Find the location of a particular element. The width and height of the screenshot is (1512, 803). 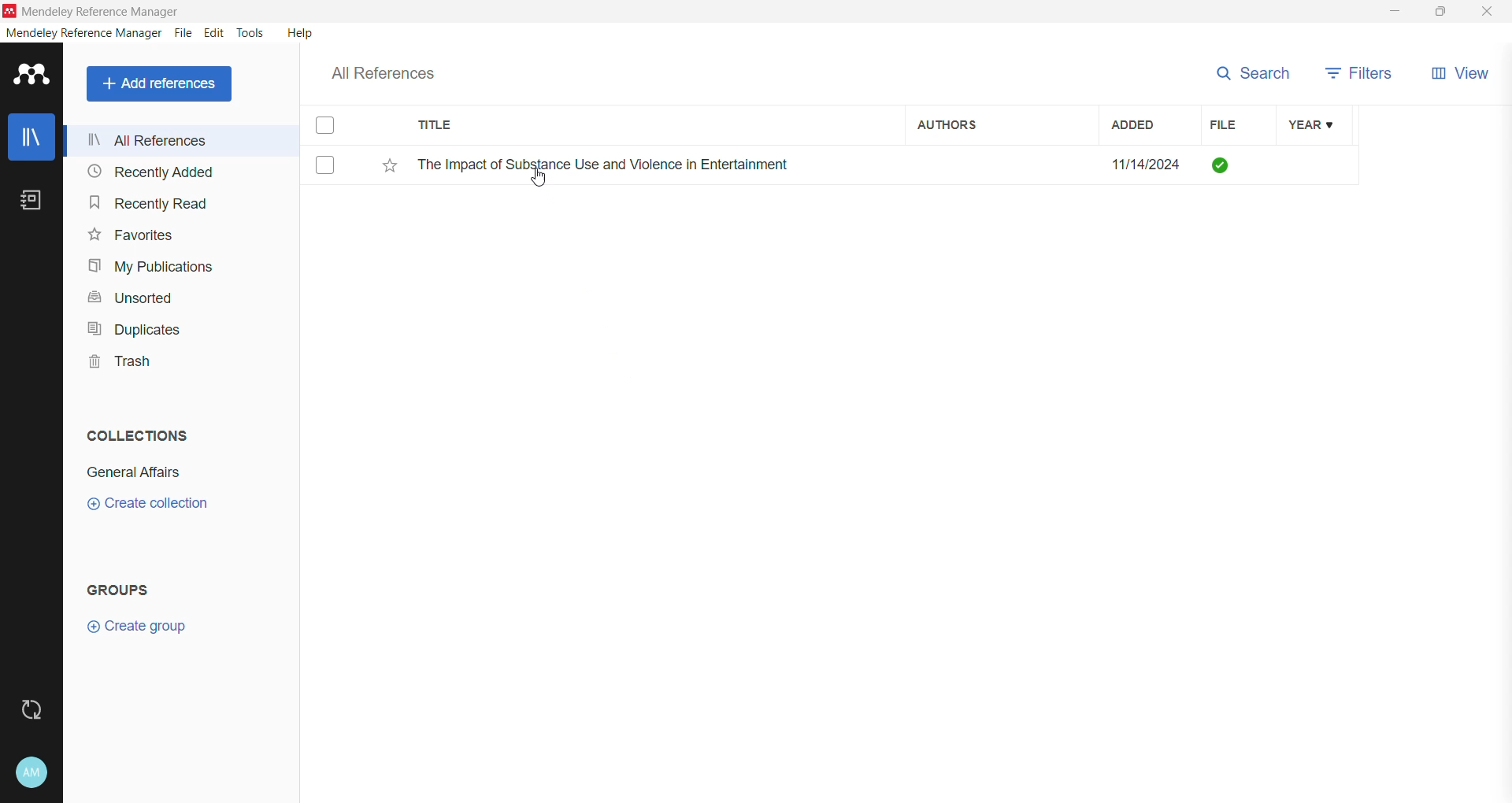

All References is located at coordinates (185, 140).